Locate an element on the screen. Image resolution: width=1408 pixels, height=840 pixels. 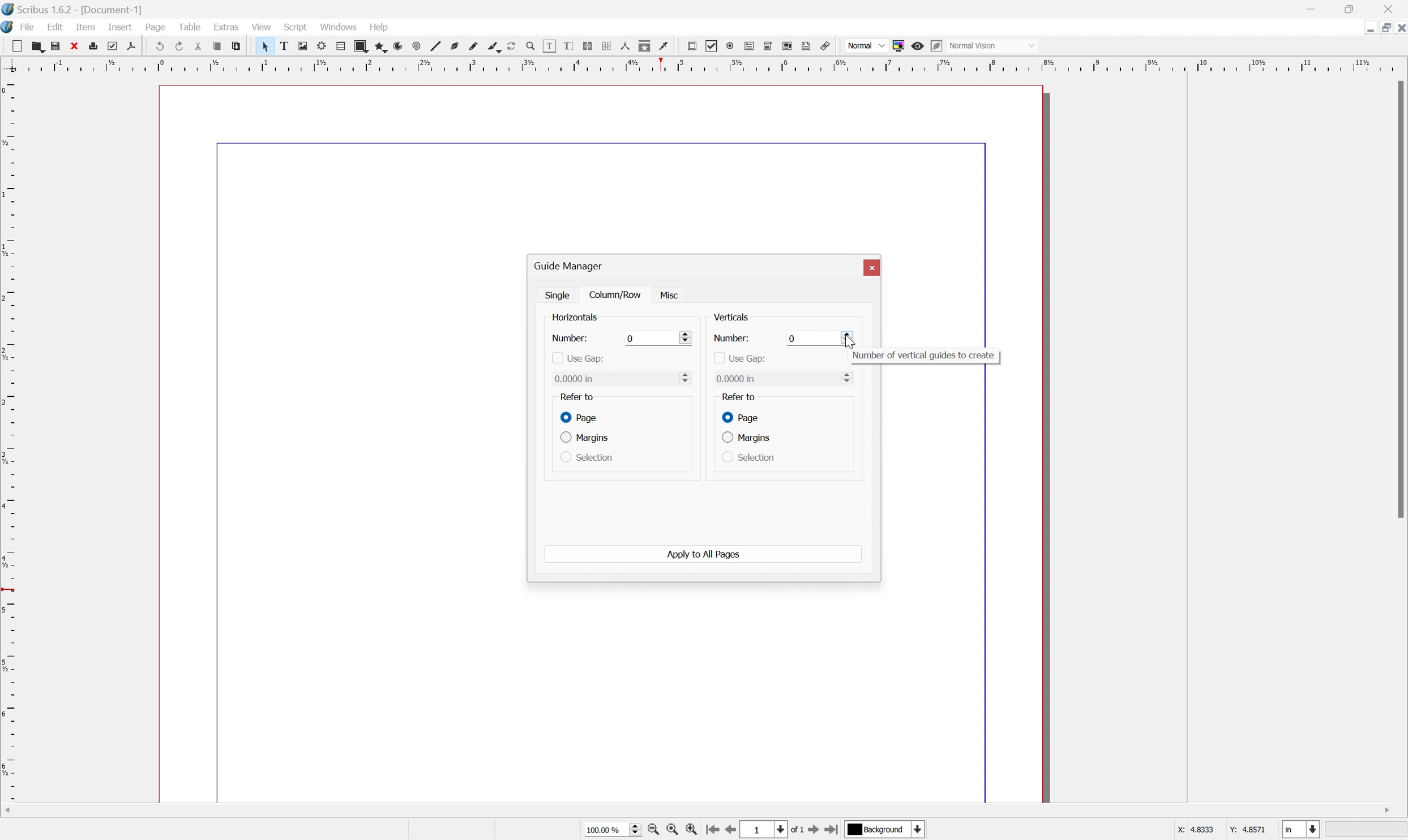
edit contents of frame is located at coordinates (549, 45).